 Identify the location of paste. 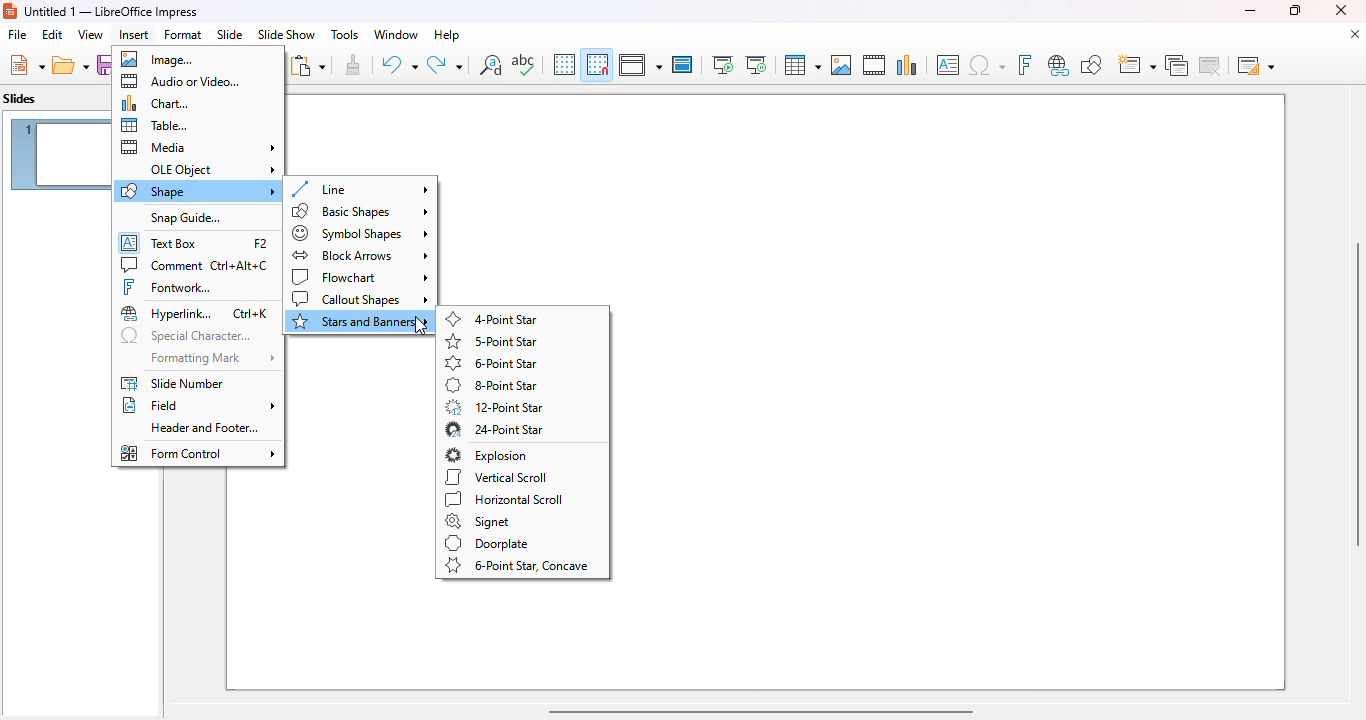
(307, 65).